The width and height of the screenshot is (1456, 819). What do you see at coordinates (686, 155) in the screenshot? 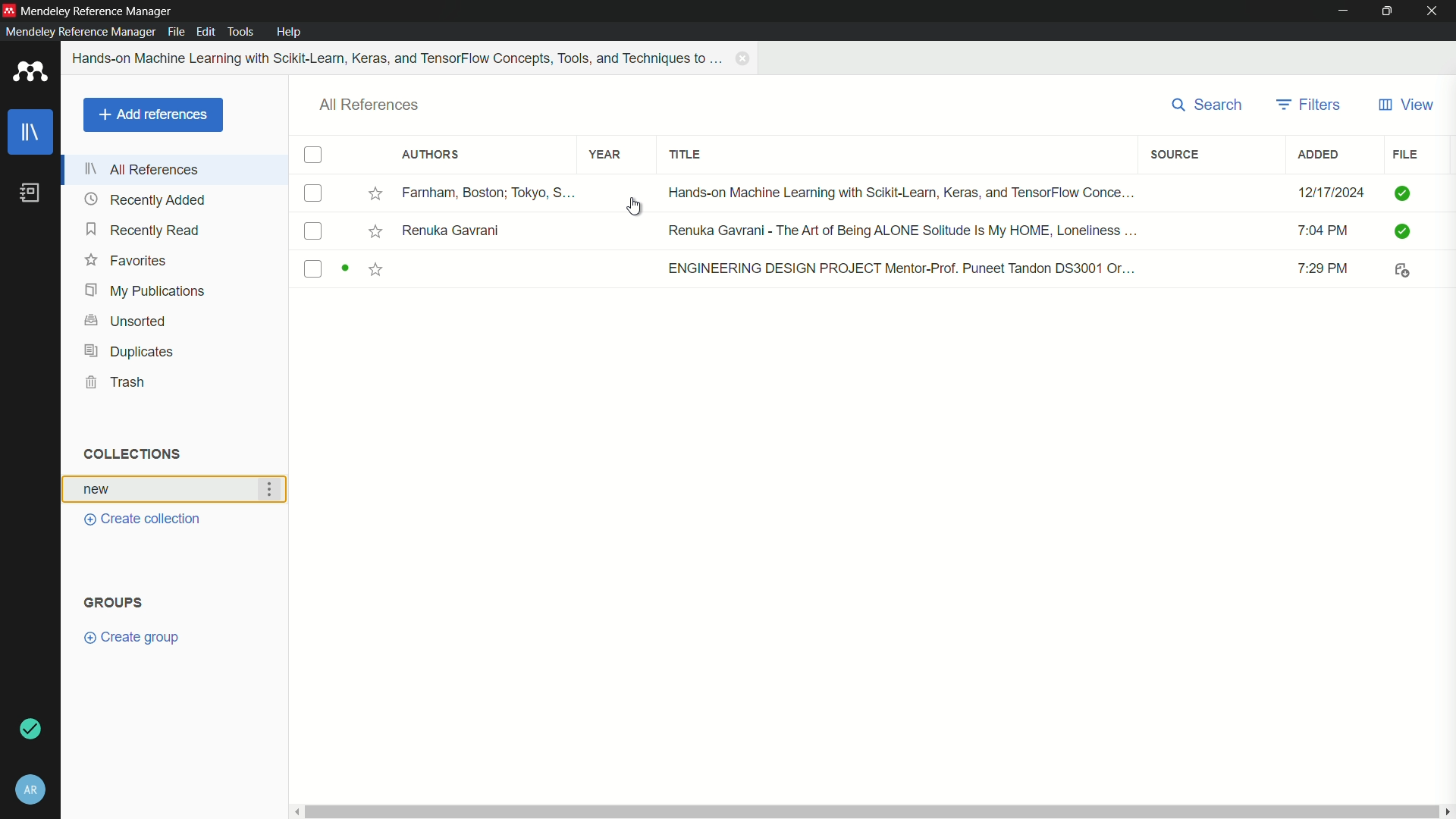
I see `title` at bounding box center [686, 155].